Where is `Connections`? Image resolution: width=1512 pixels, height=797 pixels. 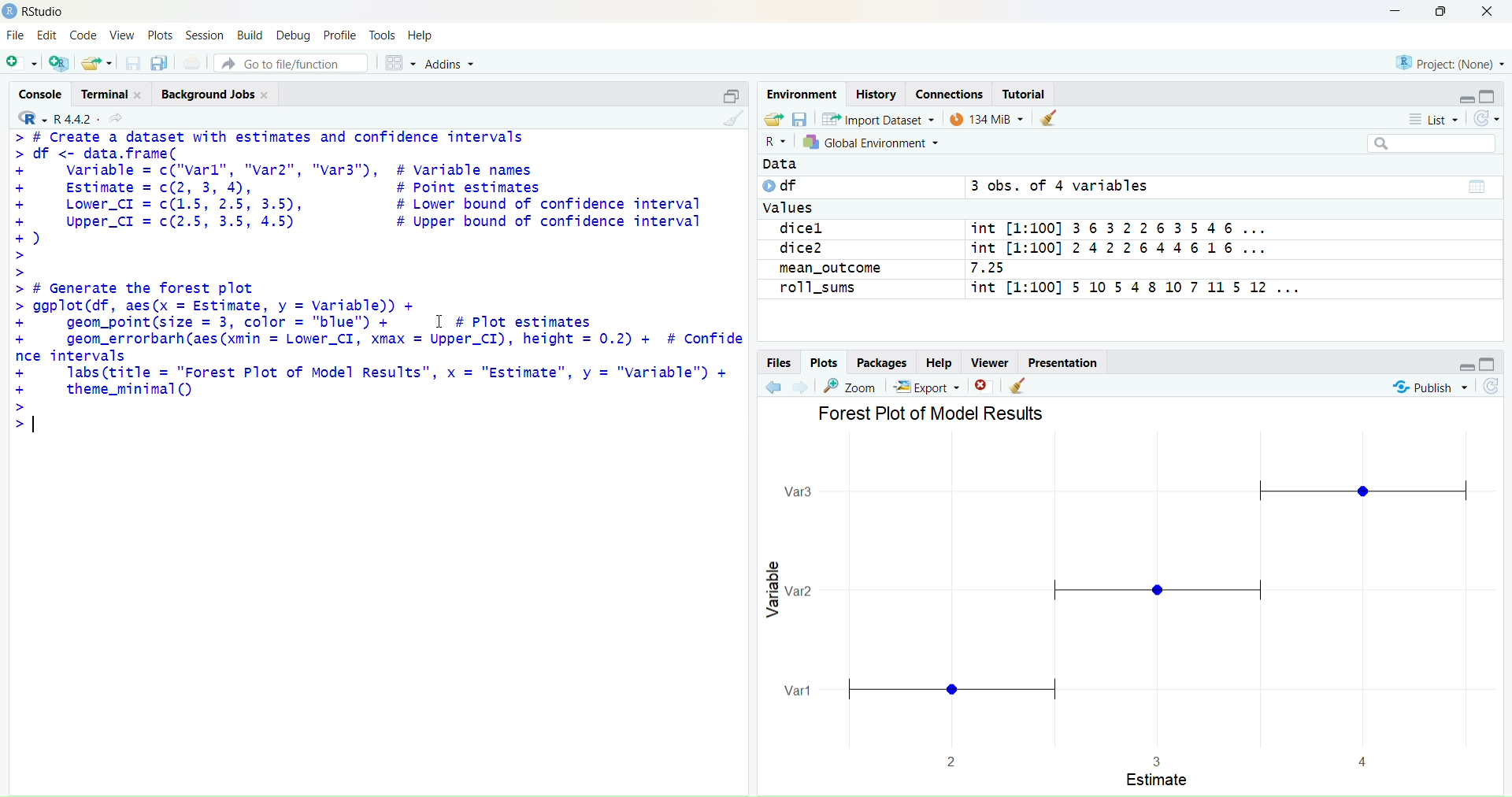 Connections is located at coordinates (951, 95).